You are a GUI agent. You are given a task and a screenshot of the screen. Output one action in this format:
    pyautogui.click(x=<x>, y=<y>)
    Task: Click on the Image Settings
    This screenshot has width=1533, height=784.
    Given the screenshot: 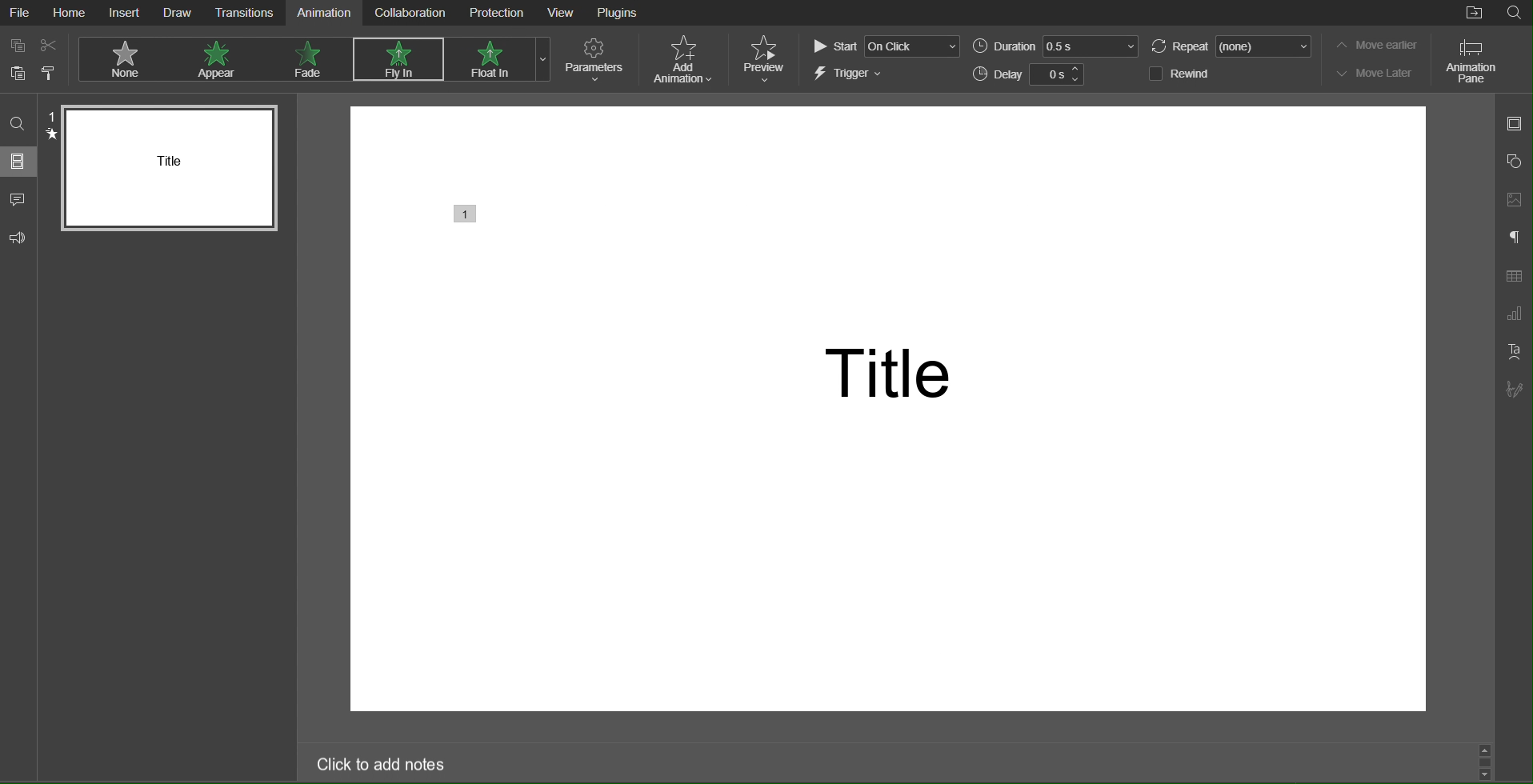 What is the action you would take?
    pyautogui.click(x=1515, y=201)
    